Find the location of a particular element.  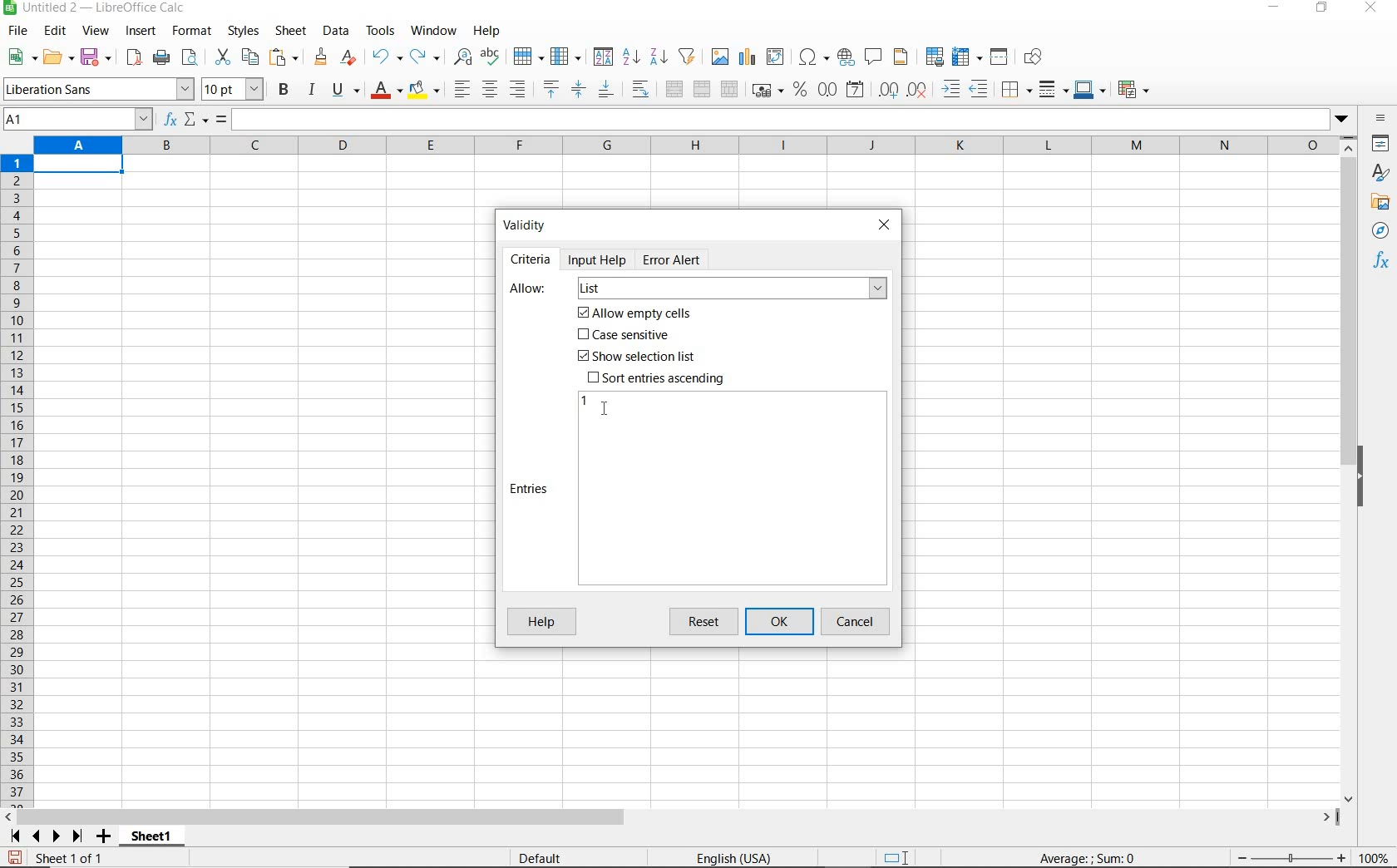

export as pdf is located at coordinates (133, 57).